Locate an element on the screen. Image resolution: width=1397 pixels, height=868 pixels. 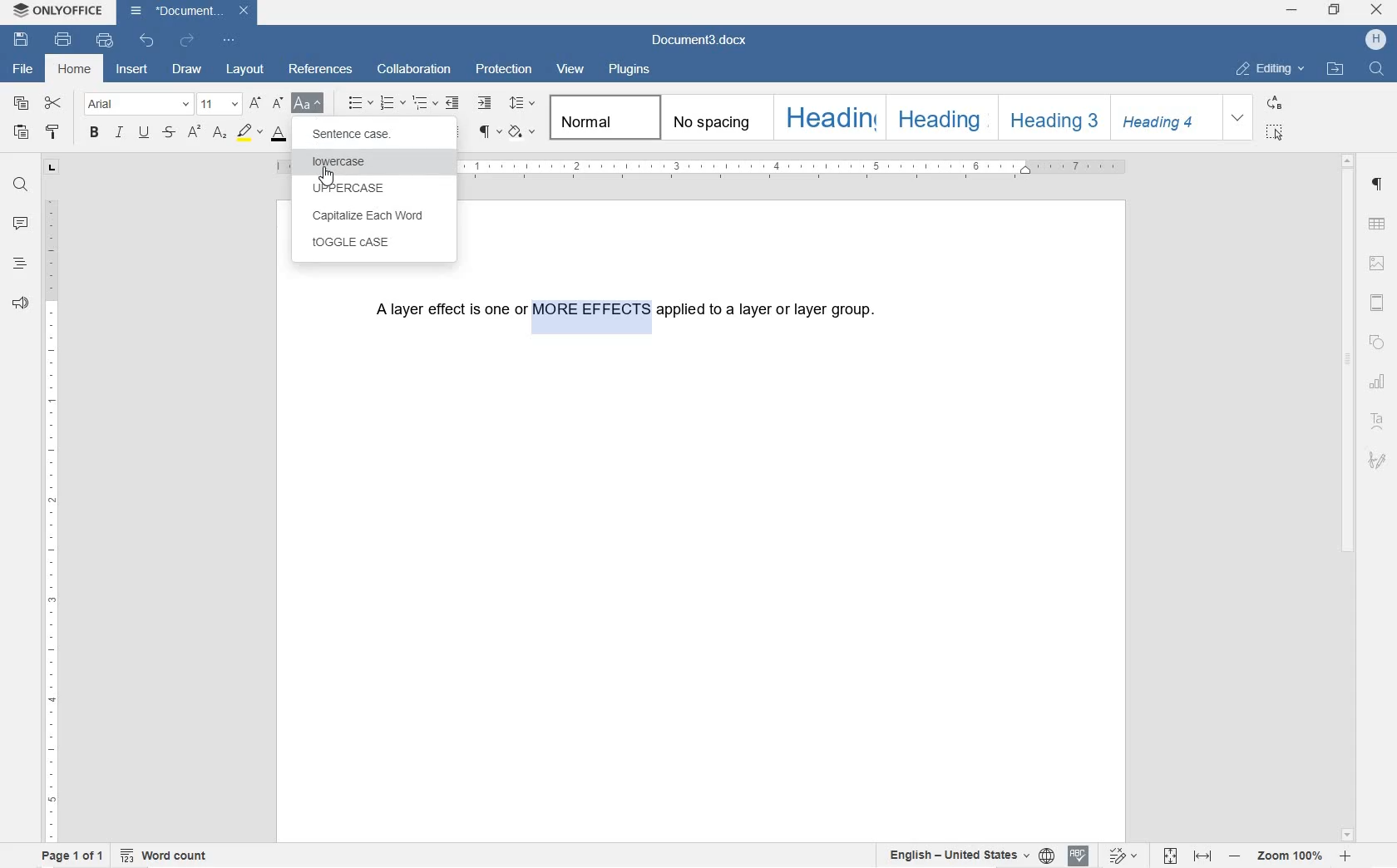
LAYOUT is located at coordinates (245, 68).